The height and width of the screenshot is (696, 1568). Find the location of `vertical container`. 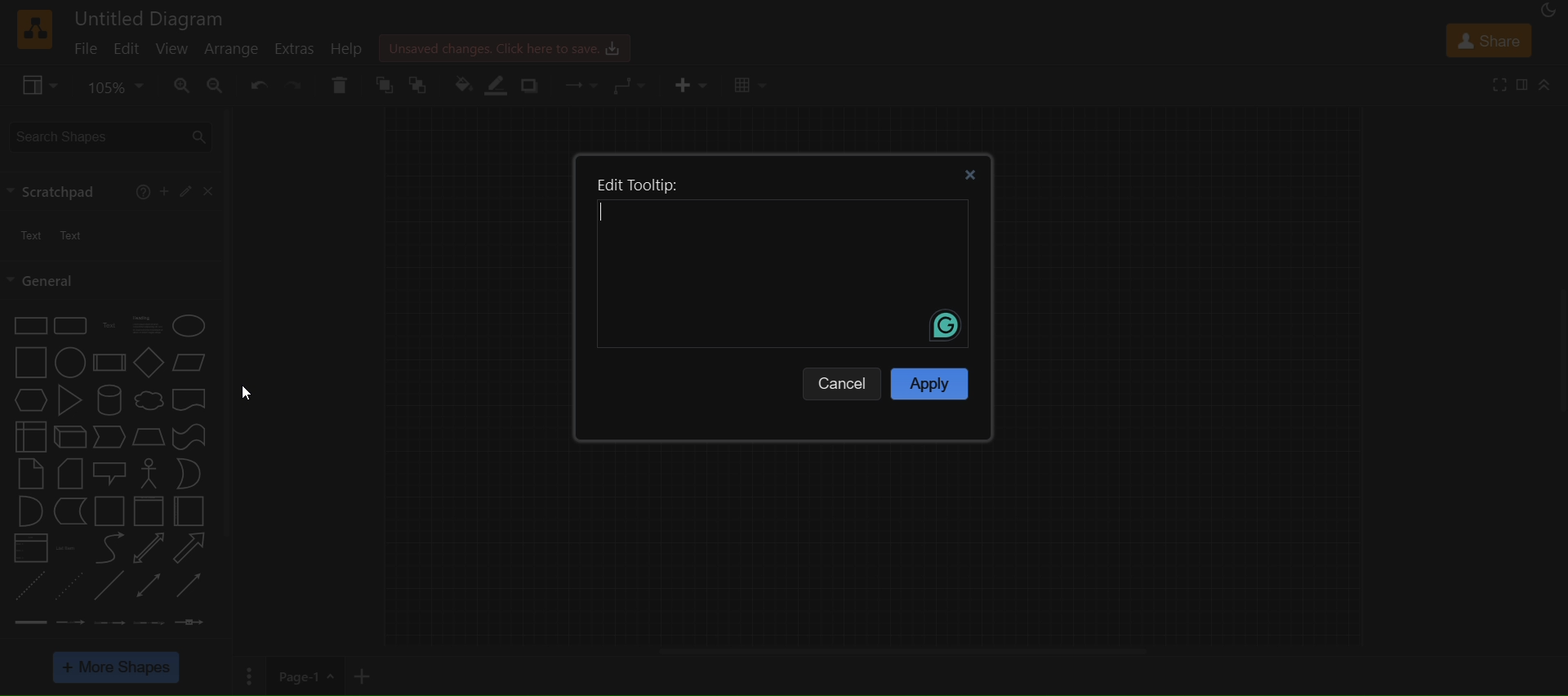

vertical container is located at coordinates (148, 511).